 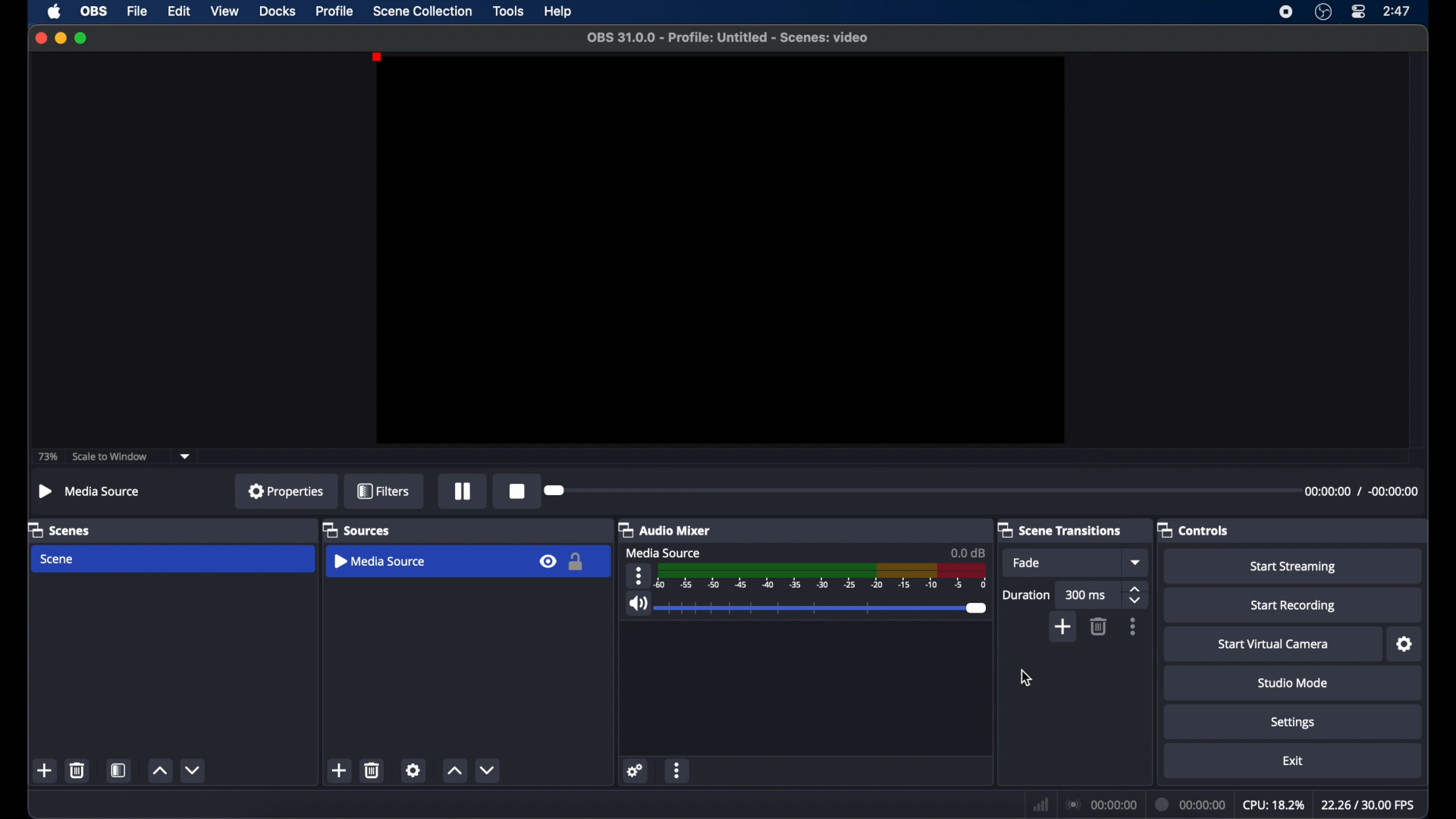 I want to click on Media Source, so click(x=381, y=561).